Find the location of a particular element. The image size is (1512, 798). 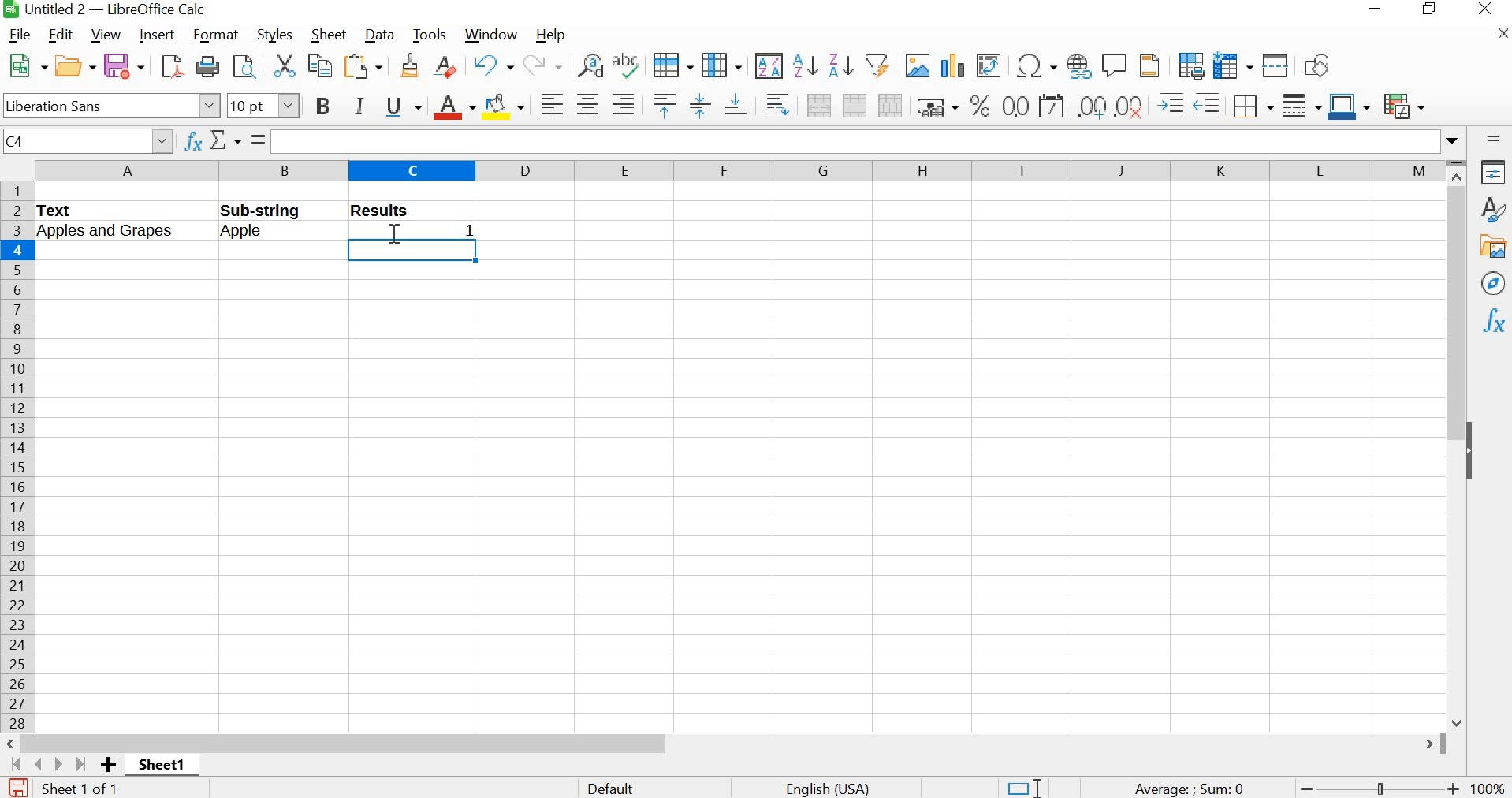

align top is located at coordinates (663, 106).